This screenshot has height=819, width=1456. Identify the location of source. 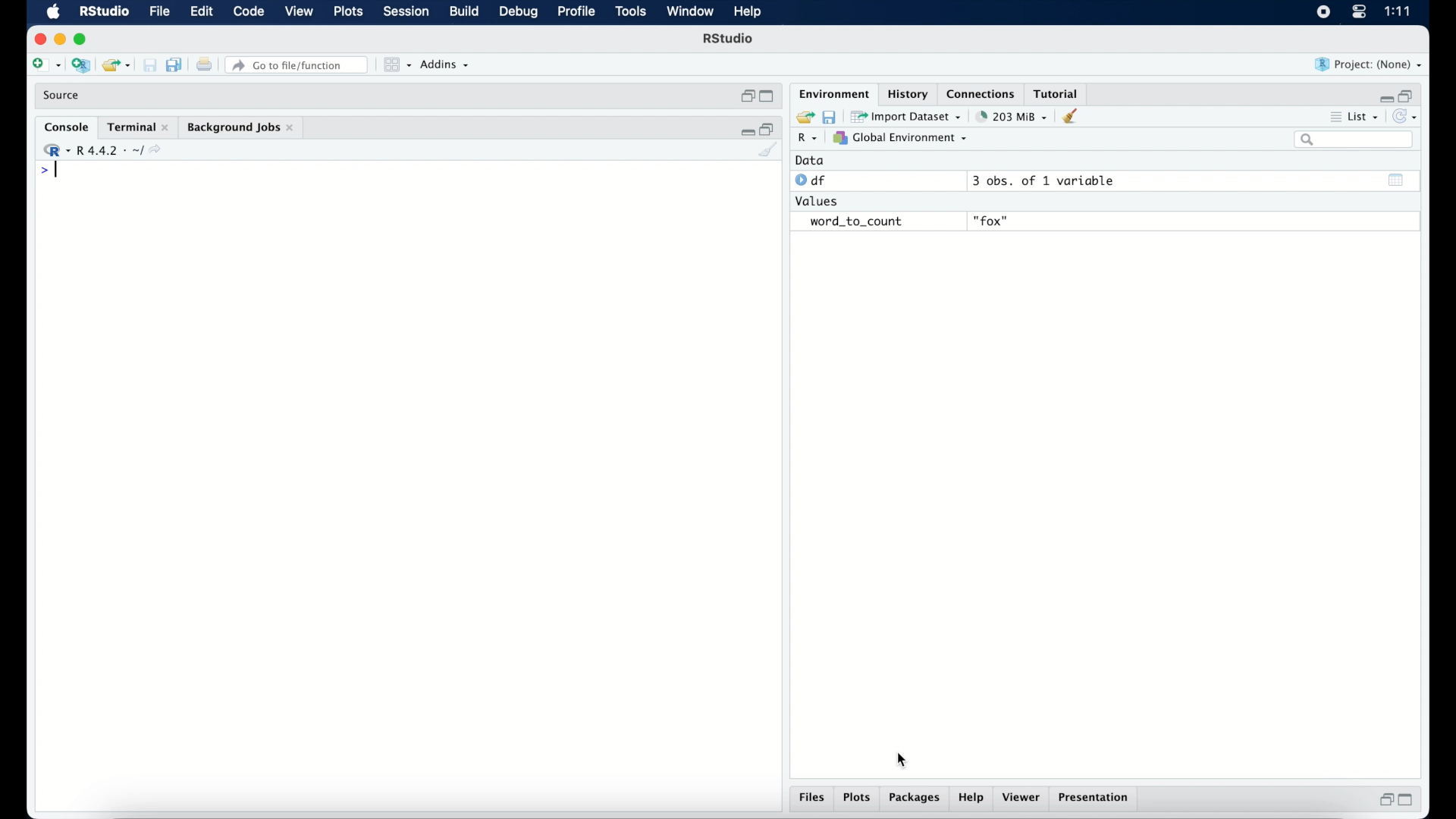
(63, 96).